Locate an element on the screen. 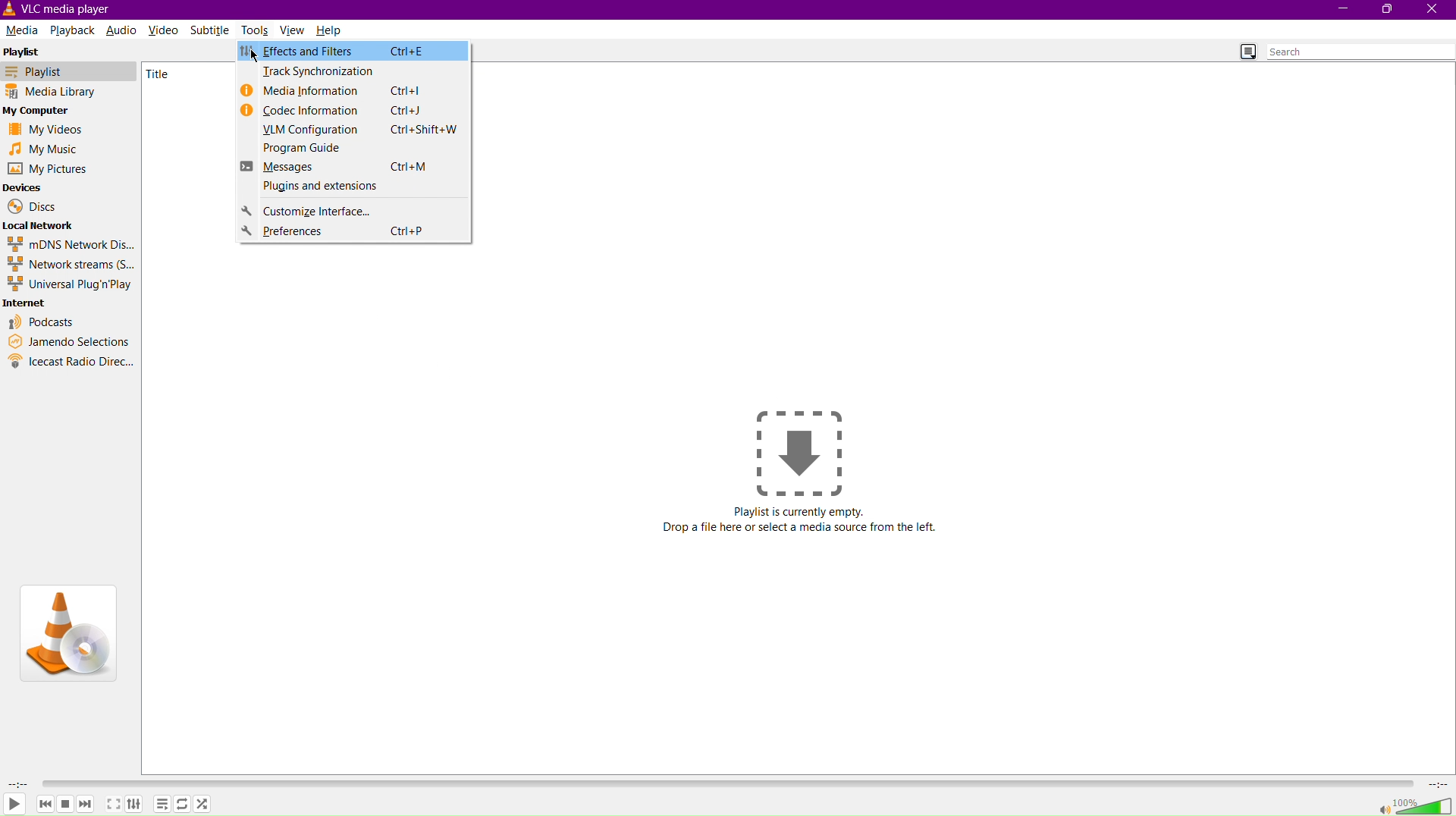  mDNS Network  is located at coordinates (72, 245).